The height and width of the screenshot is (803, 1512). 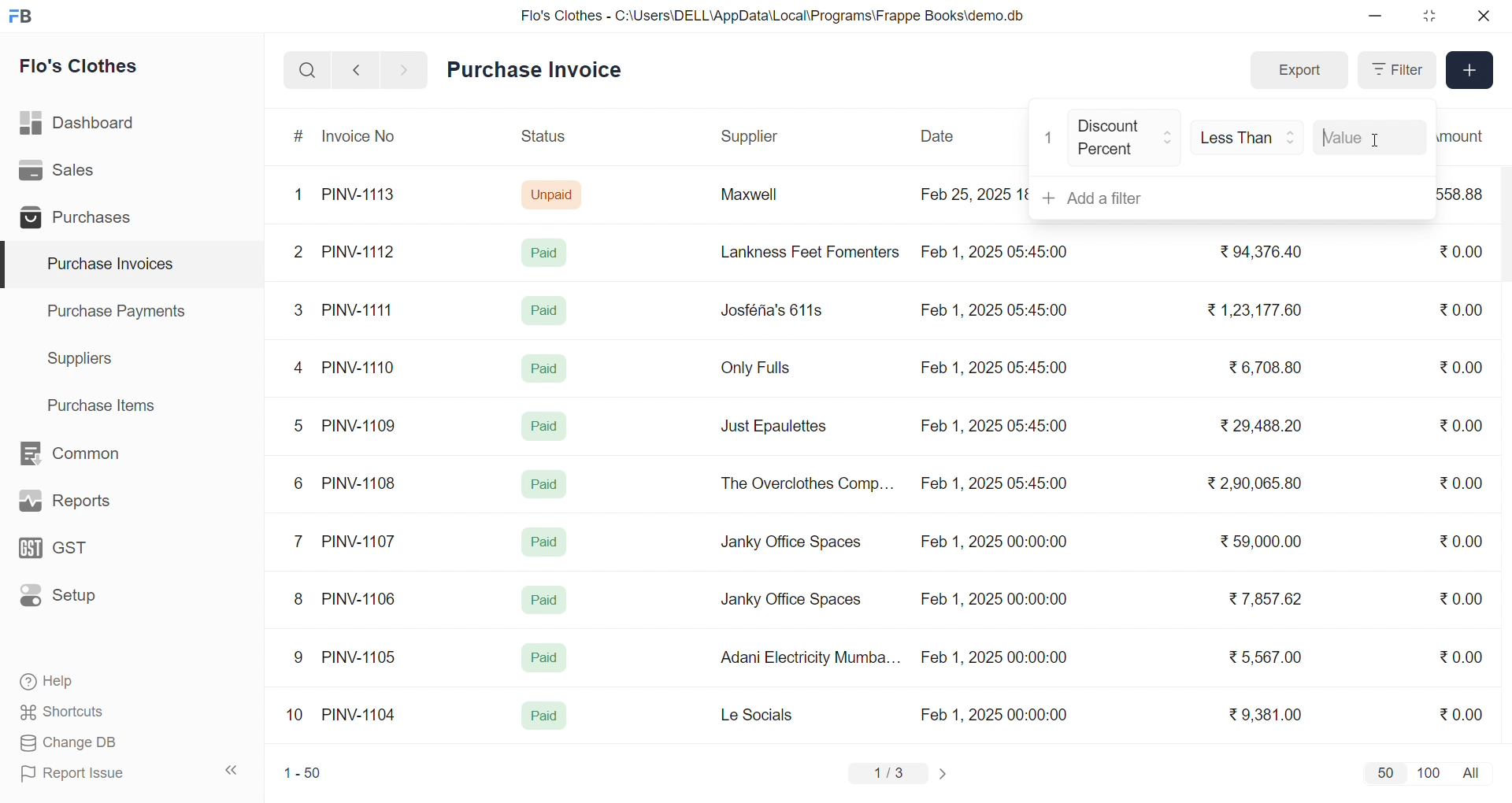 I want to click on logo, so click(x=24, y=17).